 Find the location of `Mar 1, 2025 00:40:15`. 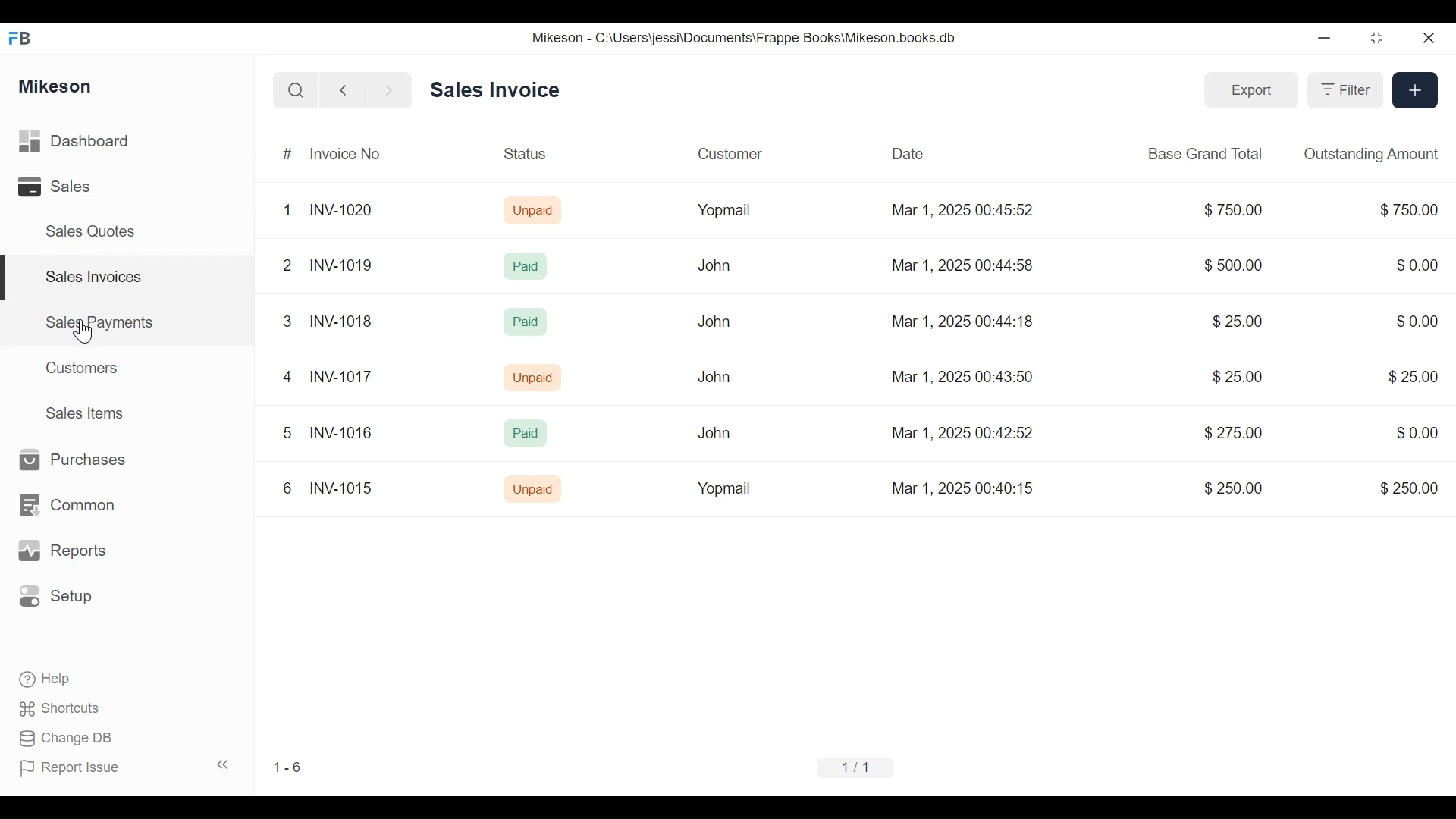

Mar 1, 2025 00:40:15 is located at coordinates (971, 491).